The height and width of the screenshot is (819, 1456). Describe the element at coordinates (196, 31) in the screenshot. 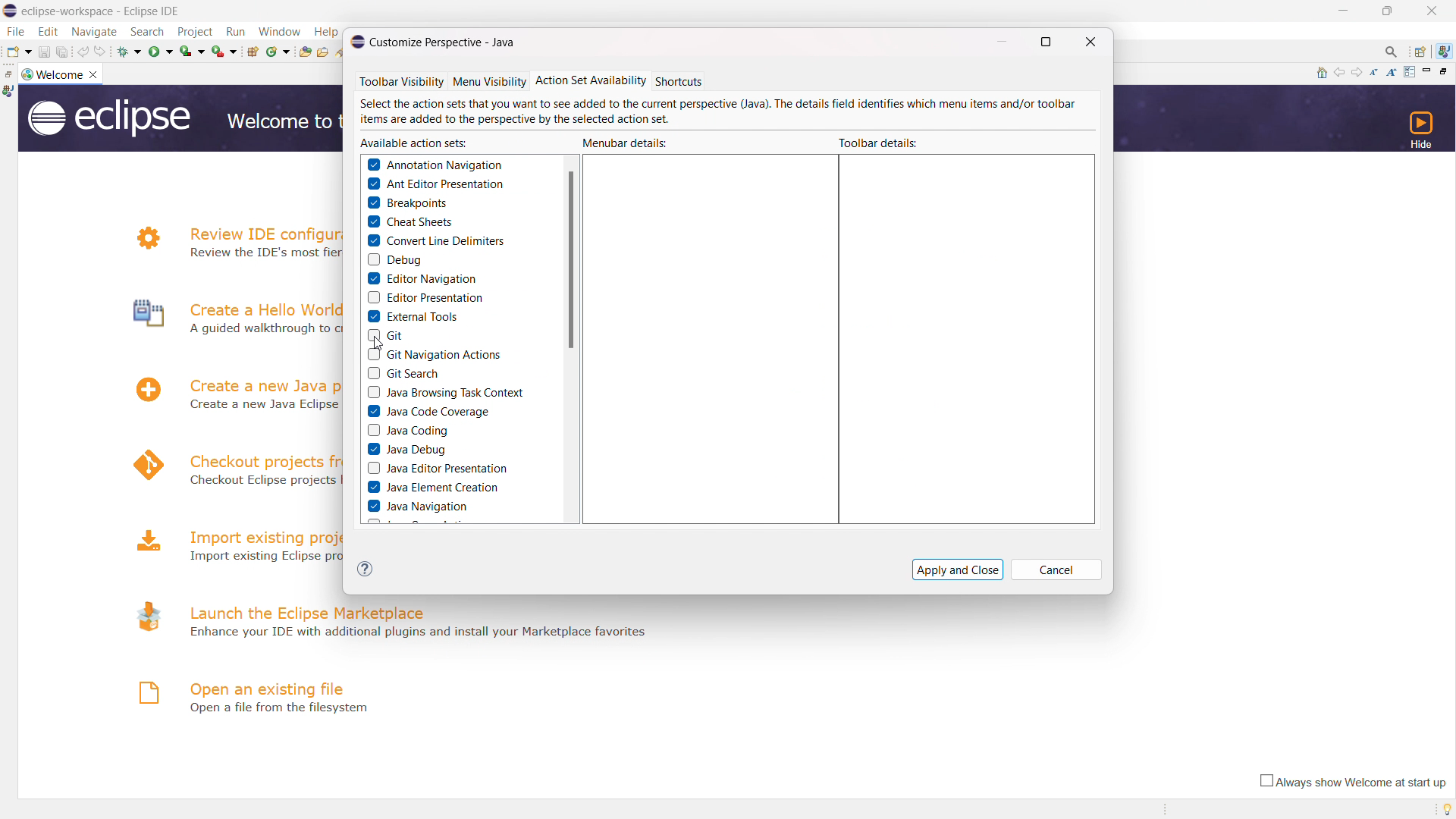

I see `project` at that location.